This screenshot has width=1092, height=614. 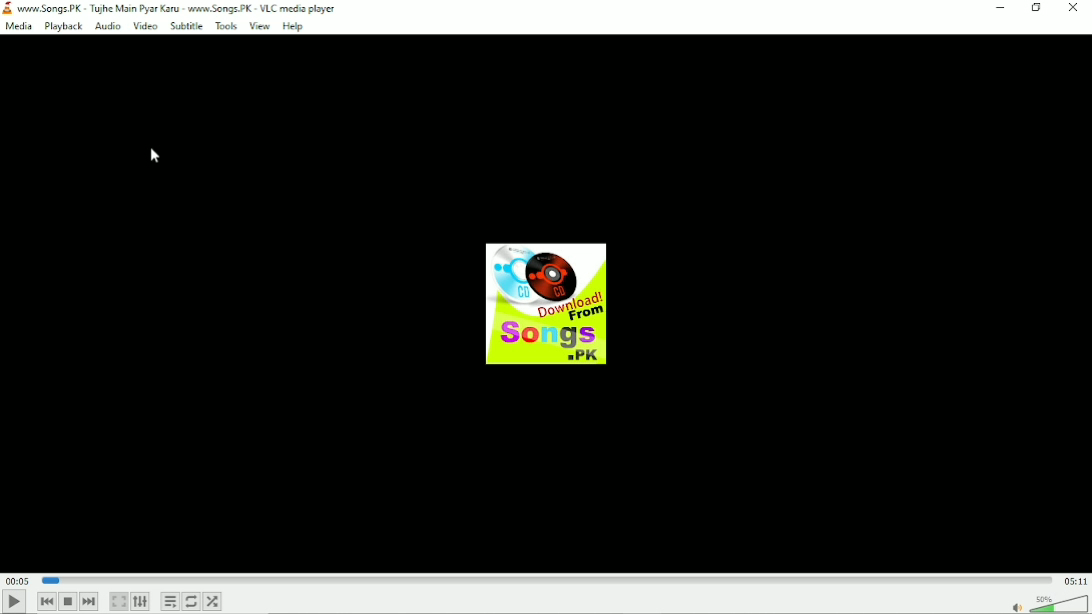 I want to click on Playback, so click(x=61, y=27).